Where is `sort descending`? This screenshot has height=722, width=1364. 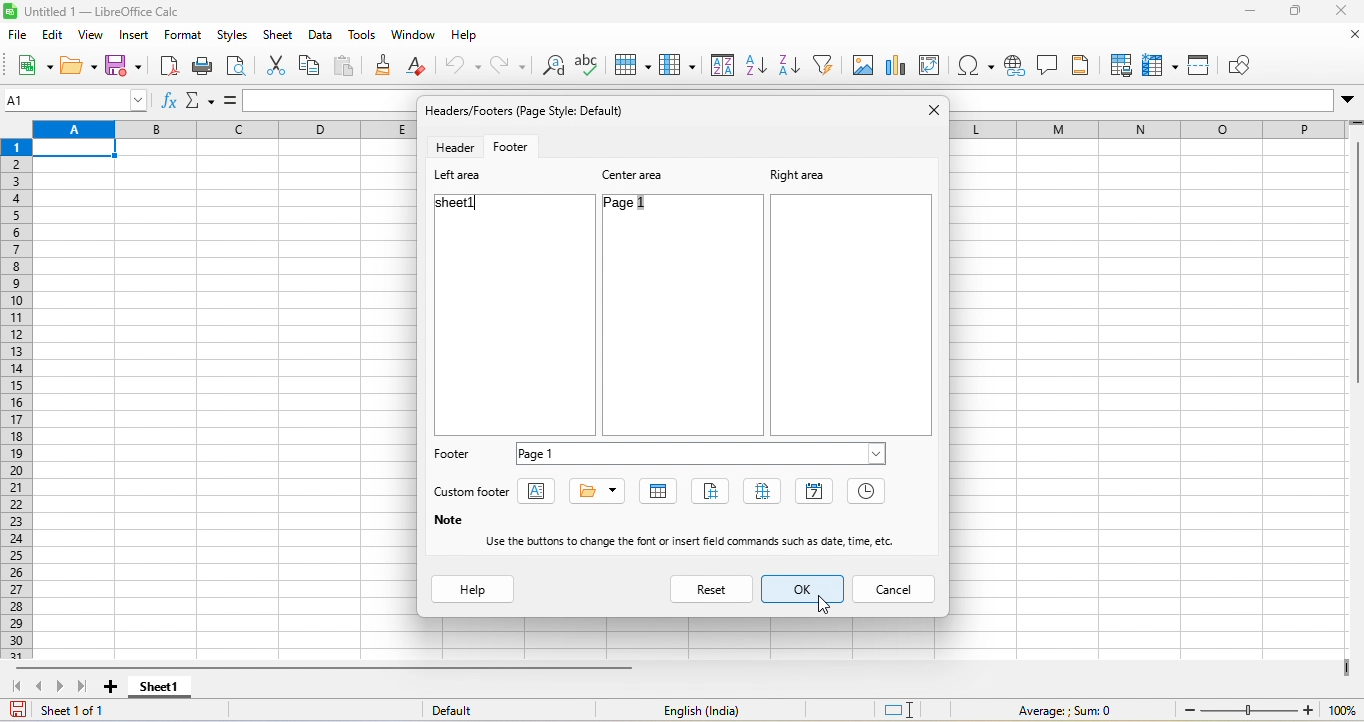 sort descending is located at coordinates (791, 66).